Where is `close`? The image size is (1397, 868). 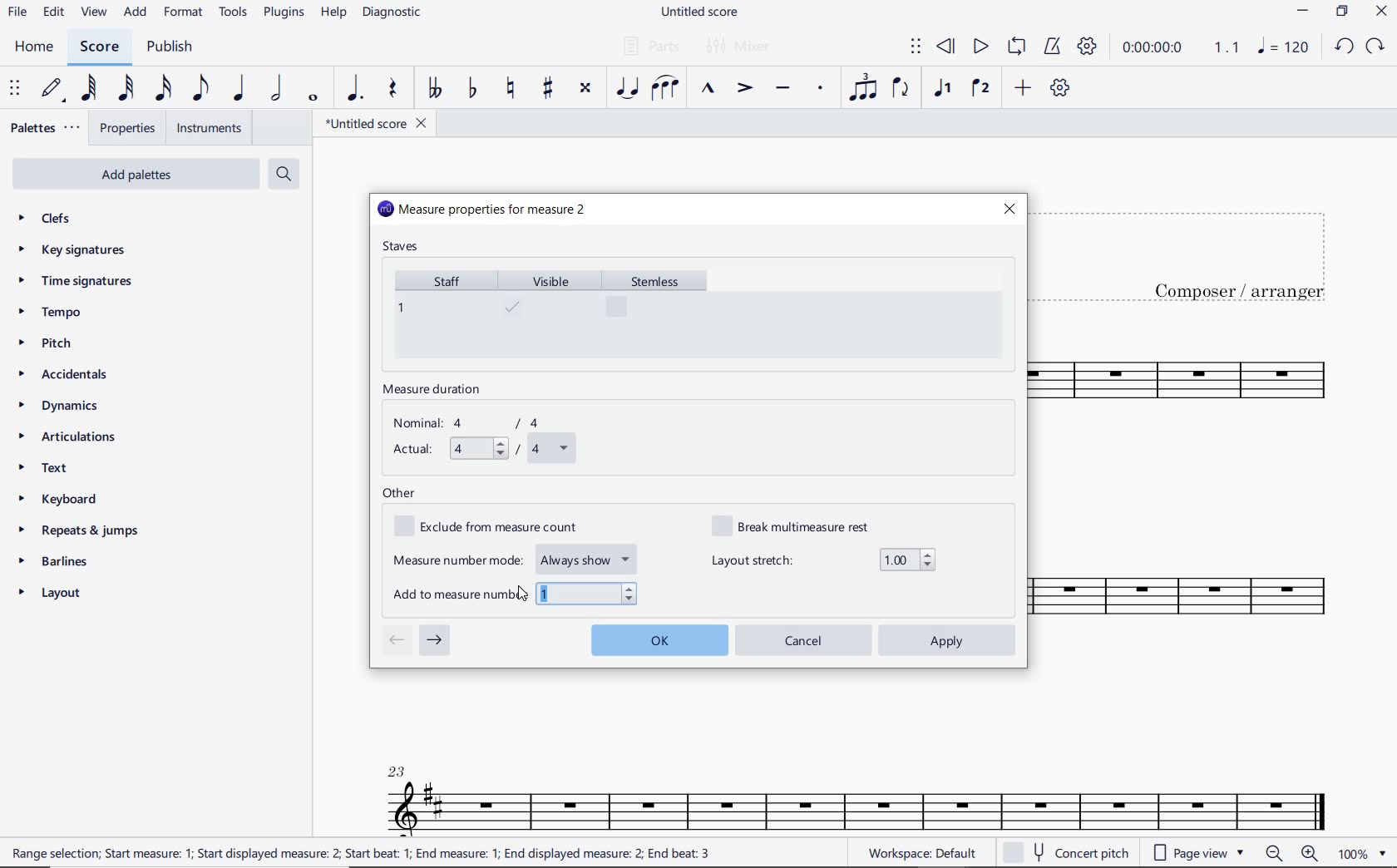 close is located at coordinates (1009, 209).